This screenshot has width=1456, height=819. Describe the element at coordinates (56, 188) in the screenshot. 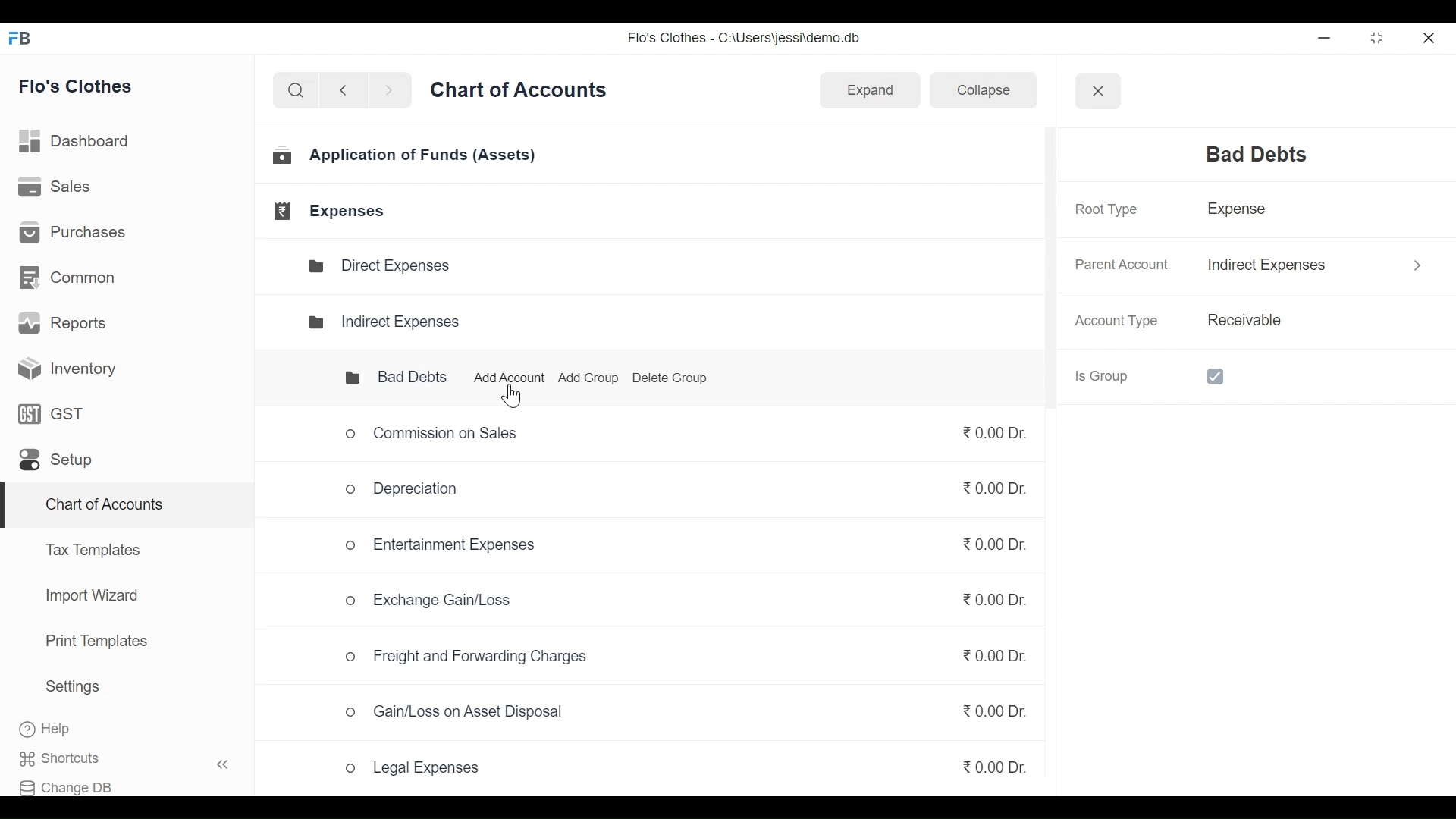

I see `Sales` at that location.